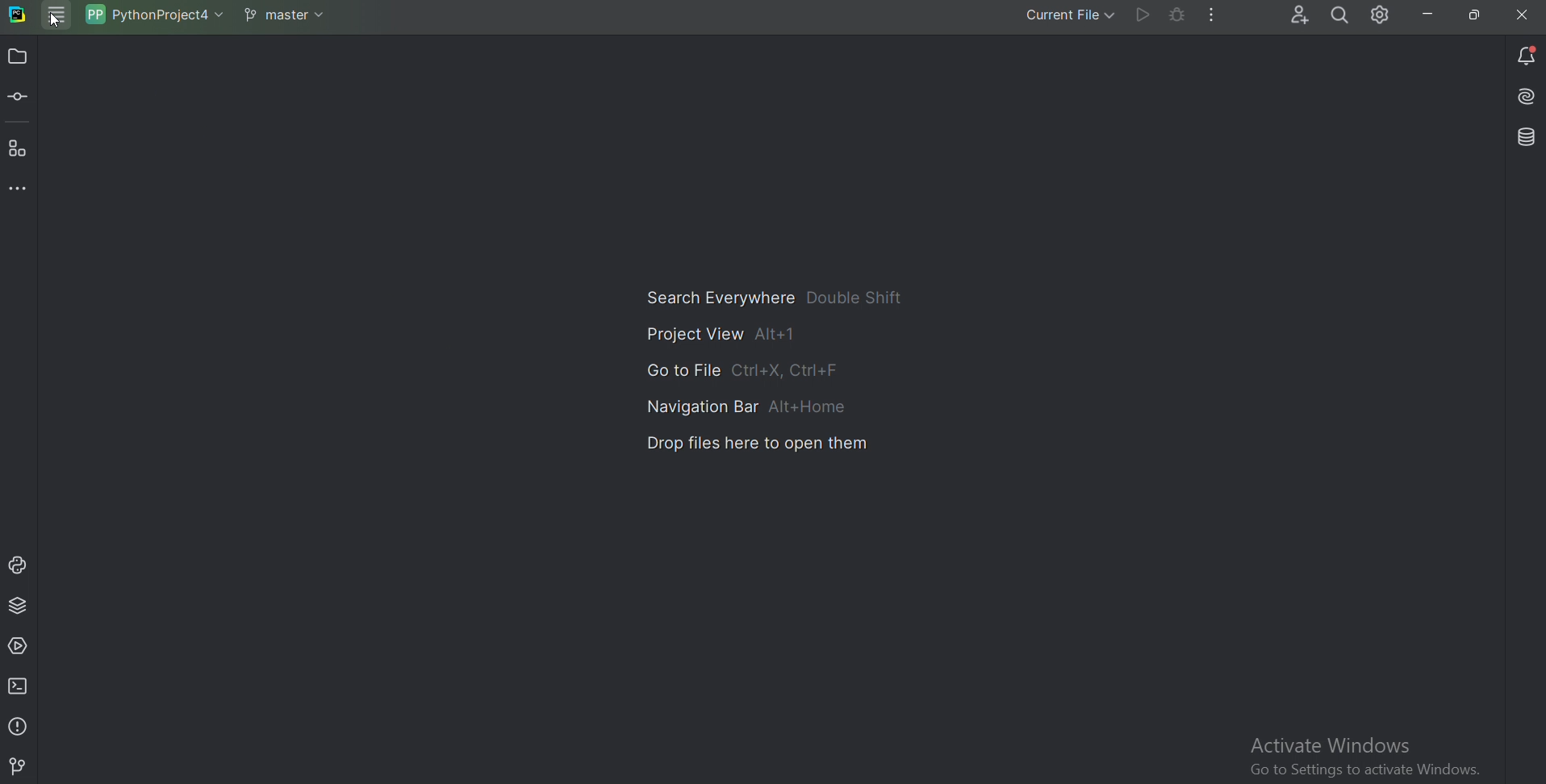  What do you see at coordinates (1378, 17) in the screenshot?
I see `Setting` at bounding box center [1378, 17].